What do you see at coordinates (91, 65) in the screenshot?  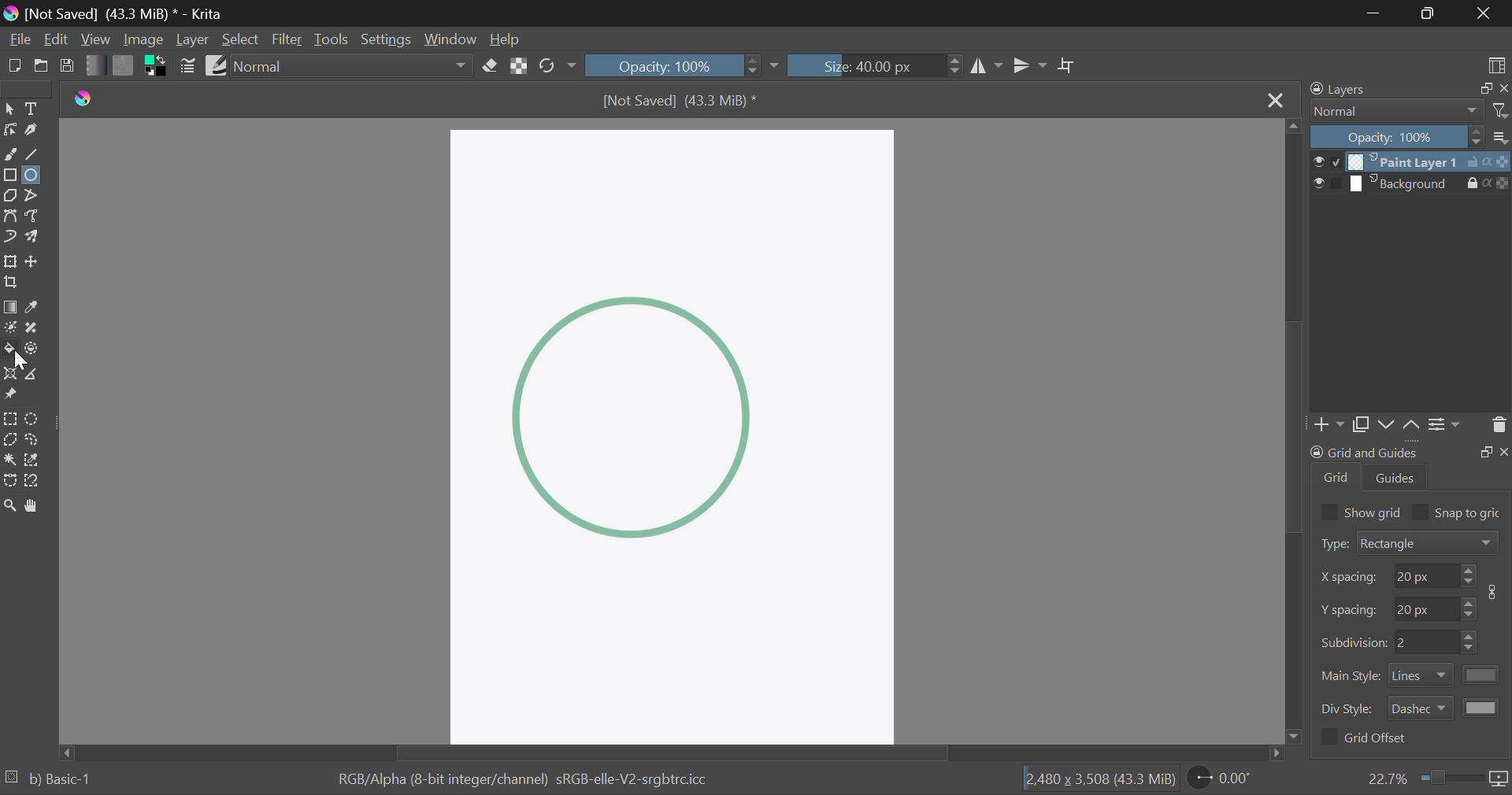 I see `Gradient` at bounding box center [91, 65].